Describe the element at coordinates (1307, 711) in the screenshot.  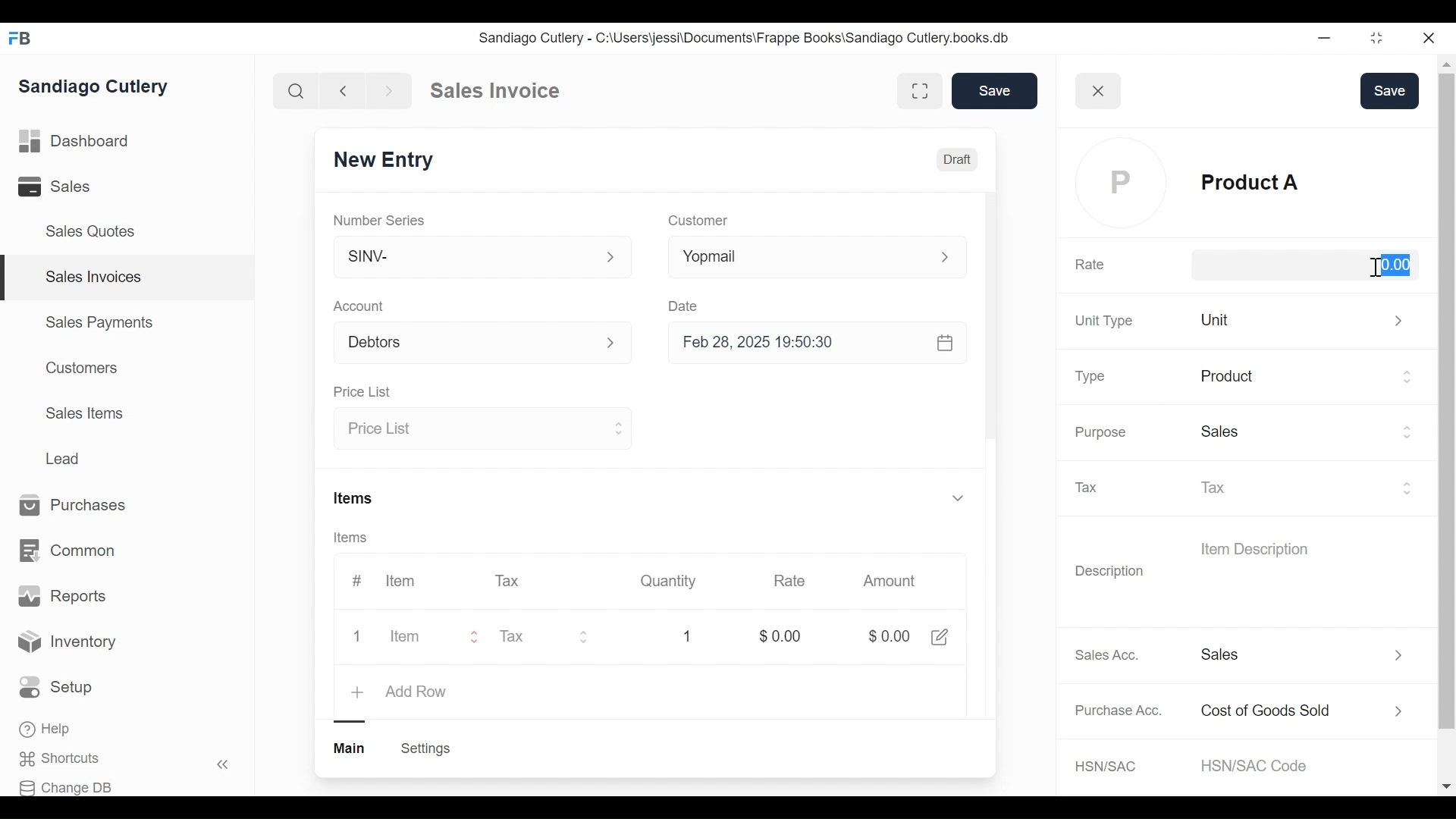
I see `Expense` at that location.